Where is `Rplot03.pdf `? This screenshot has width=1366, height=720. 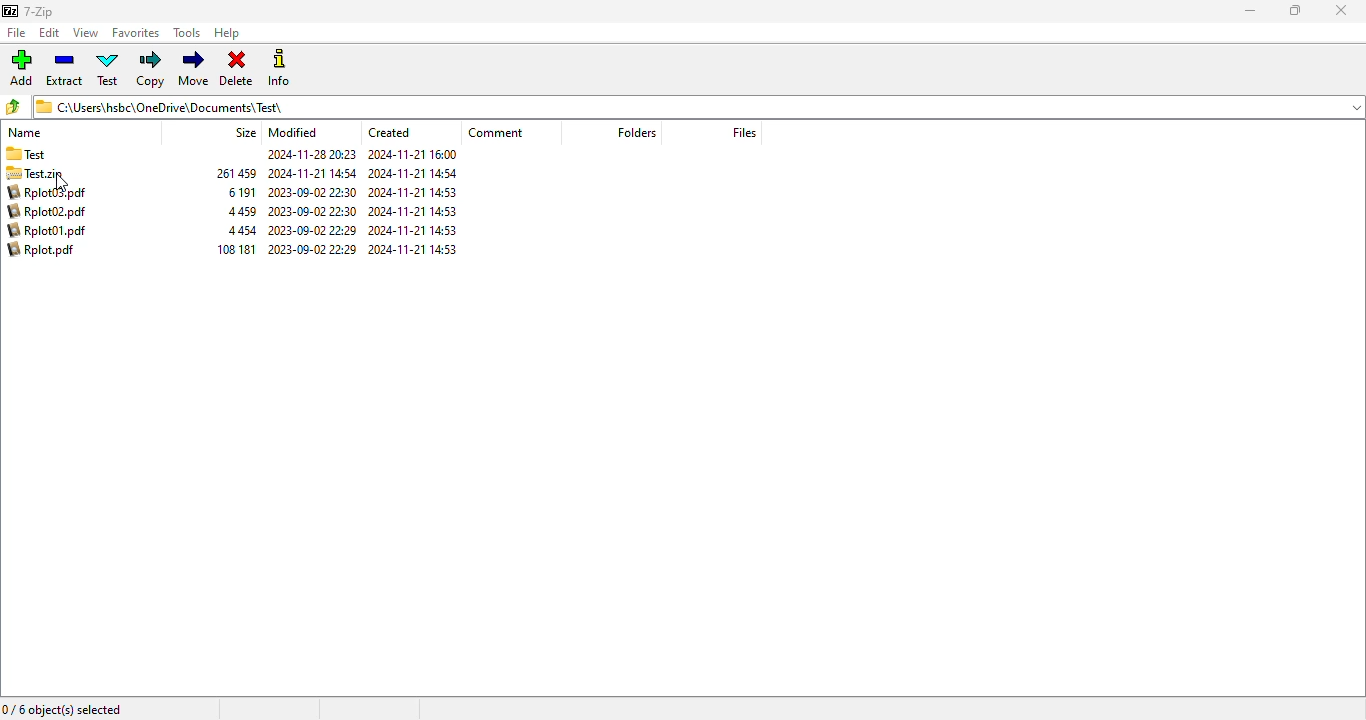 Rplot03.pdf  is located at coordinates (53, 192).